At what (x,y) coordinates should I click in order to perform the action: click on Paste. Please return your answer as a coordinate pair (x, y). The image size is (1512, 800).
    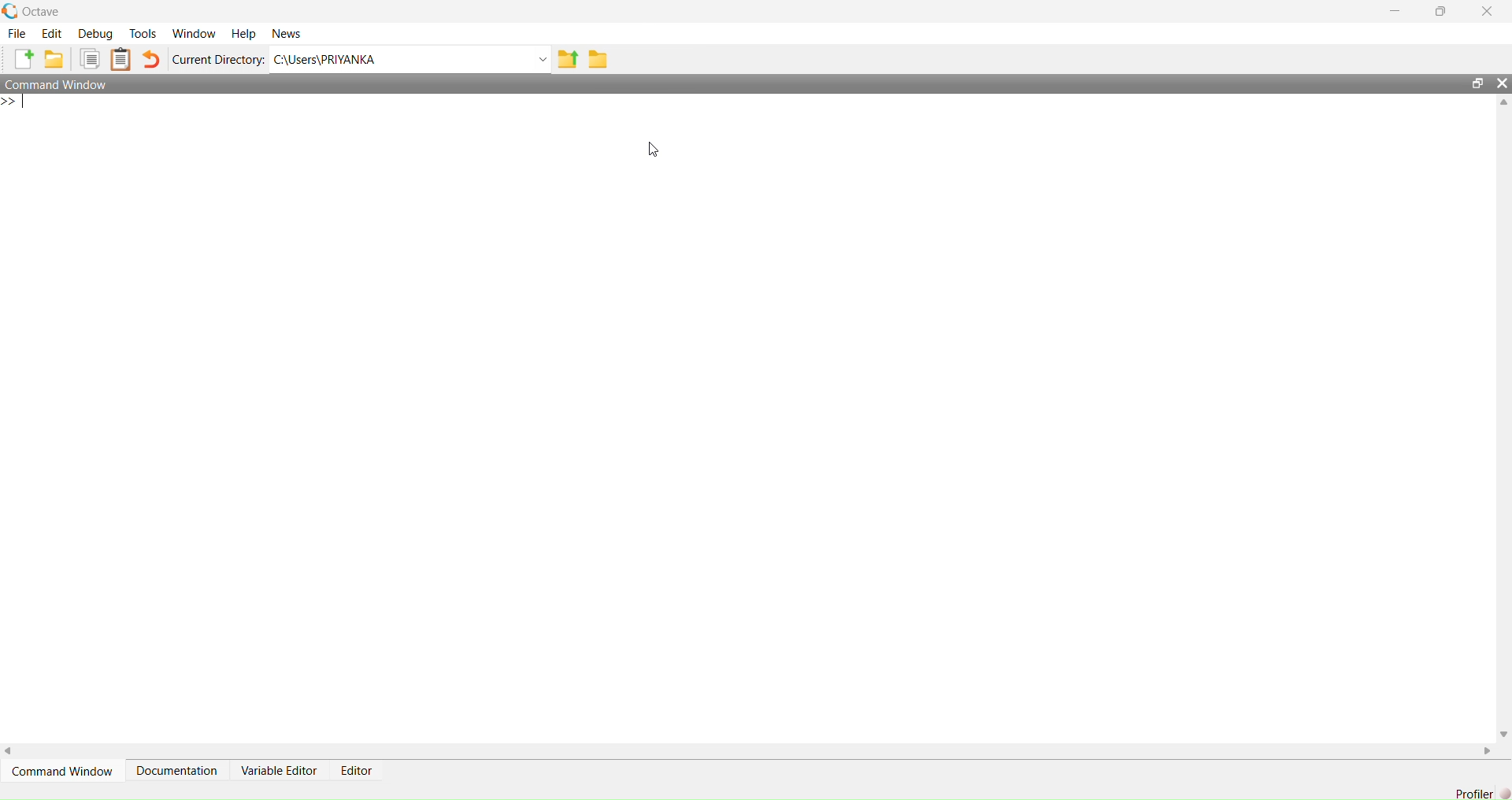
    Looking at the image, I should click on (120, 58).